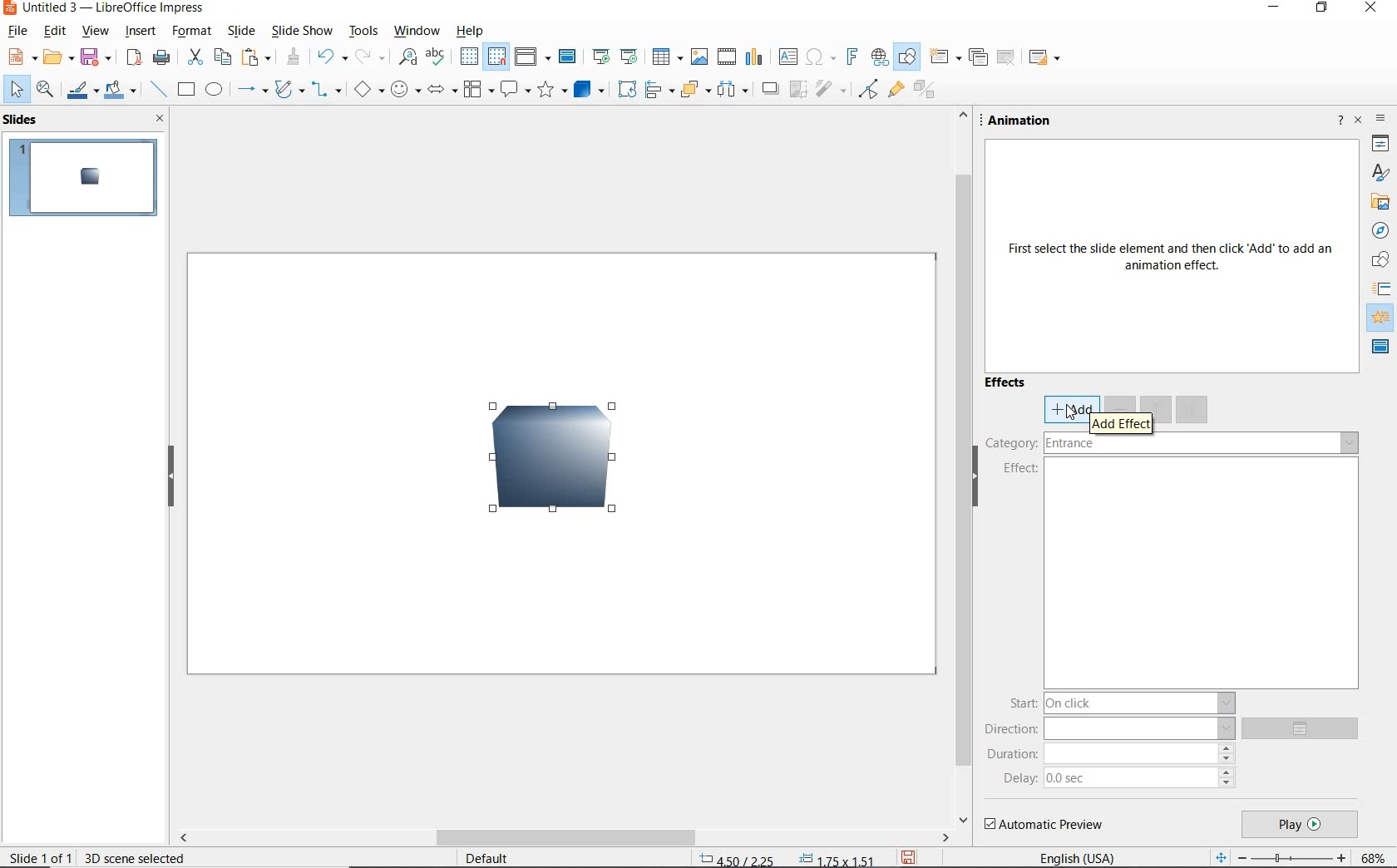  What do you see at coordinates (906, 57) in the screenshot?
I see `show draw functions` at bounding box center [906, 57].